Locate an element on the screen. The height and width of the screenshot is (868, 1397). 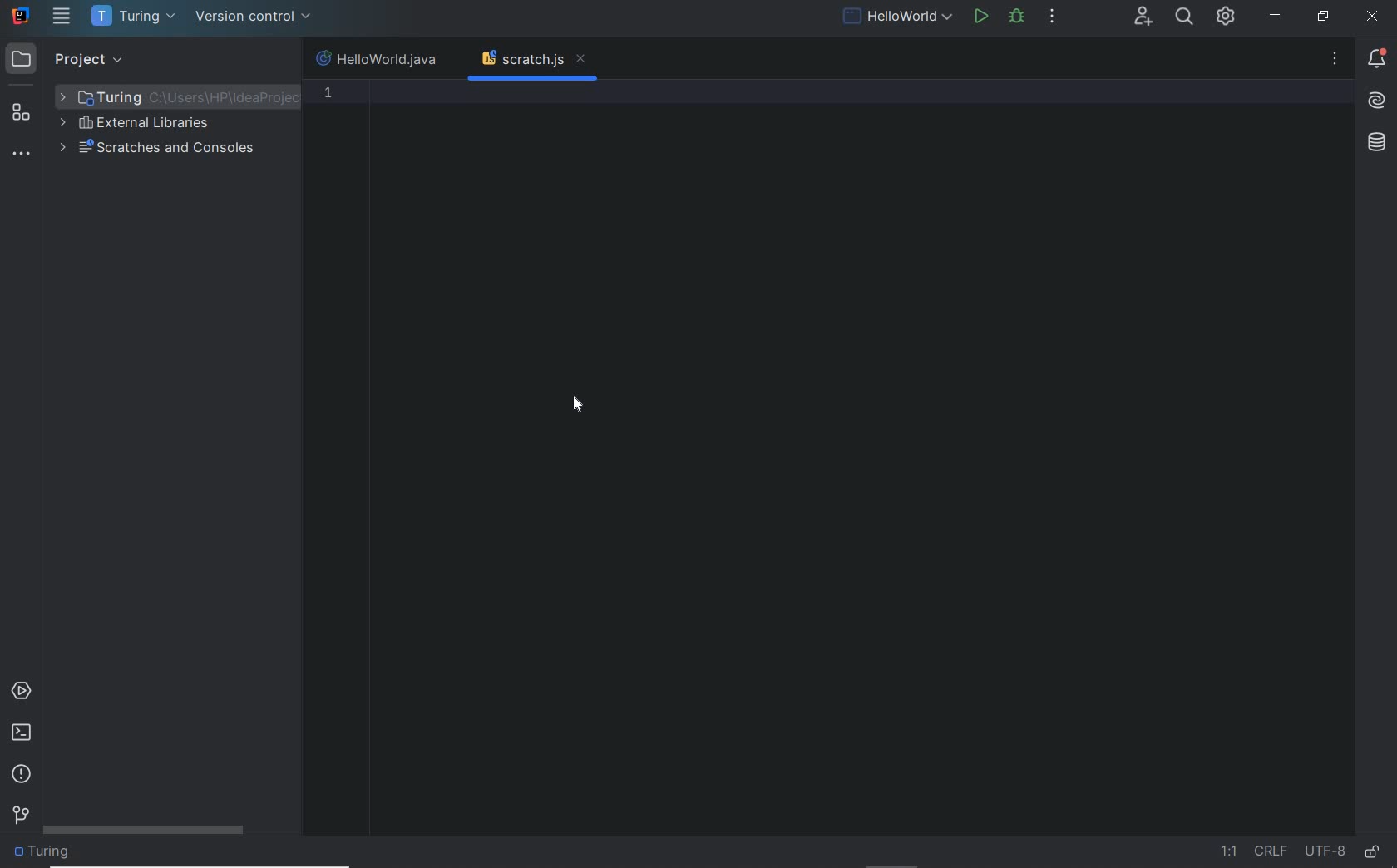
run is located at coordinates (981, 18).